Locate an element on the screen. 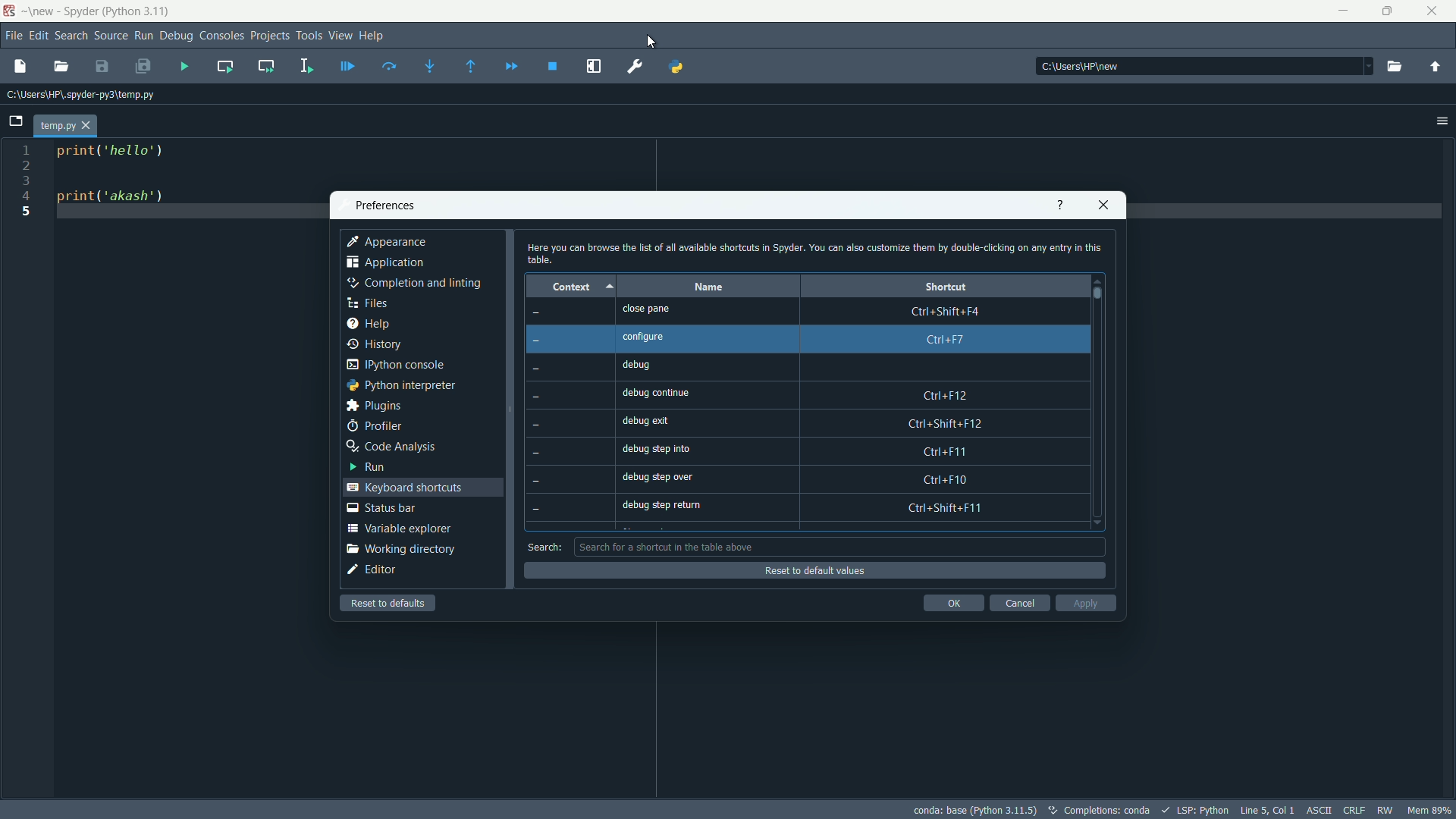  maximize is located at coordinates (1389, 11).